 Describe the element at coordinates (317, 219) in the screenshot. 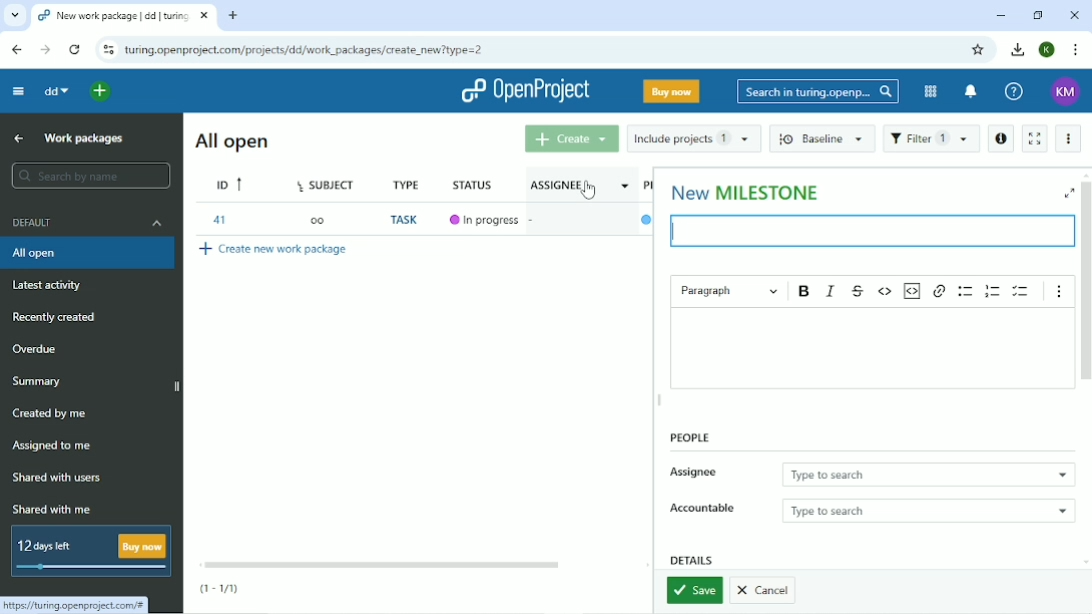

I see `oo` at that location.